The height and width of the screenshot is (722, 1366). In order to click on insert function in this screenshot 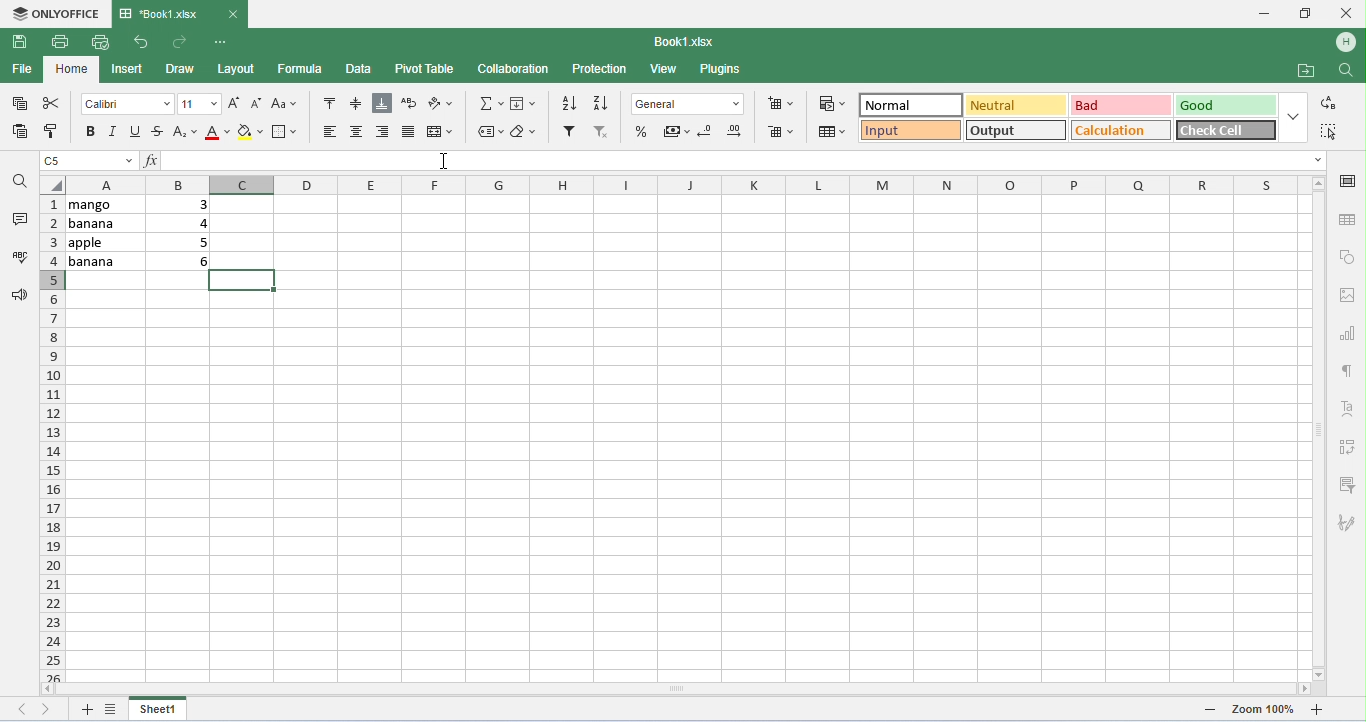, I will do `click(489, 104)`.